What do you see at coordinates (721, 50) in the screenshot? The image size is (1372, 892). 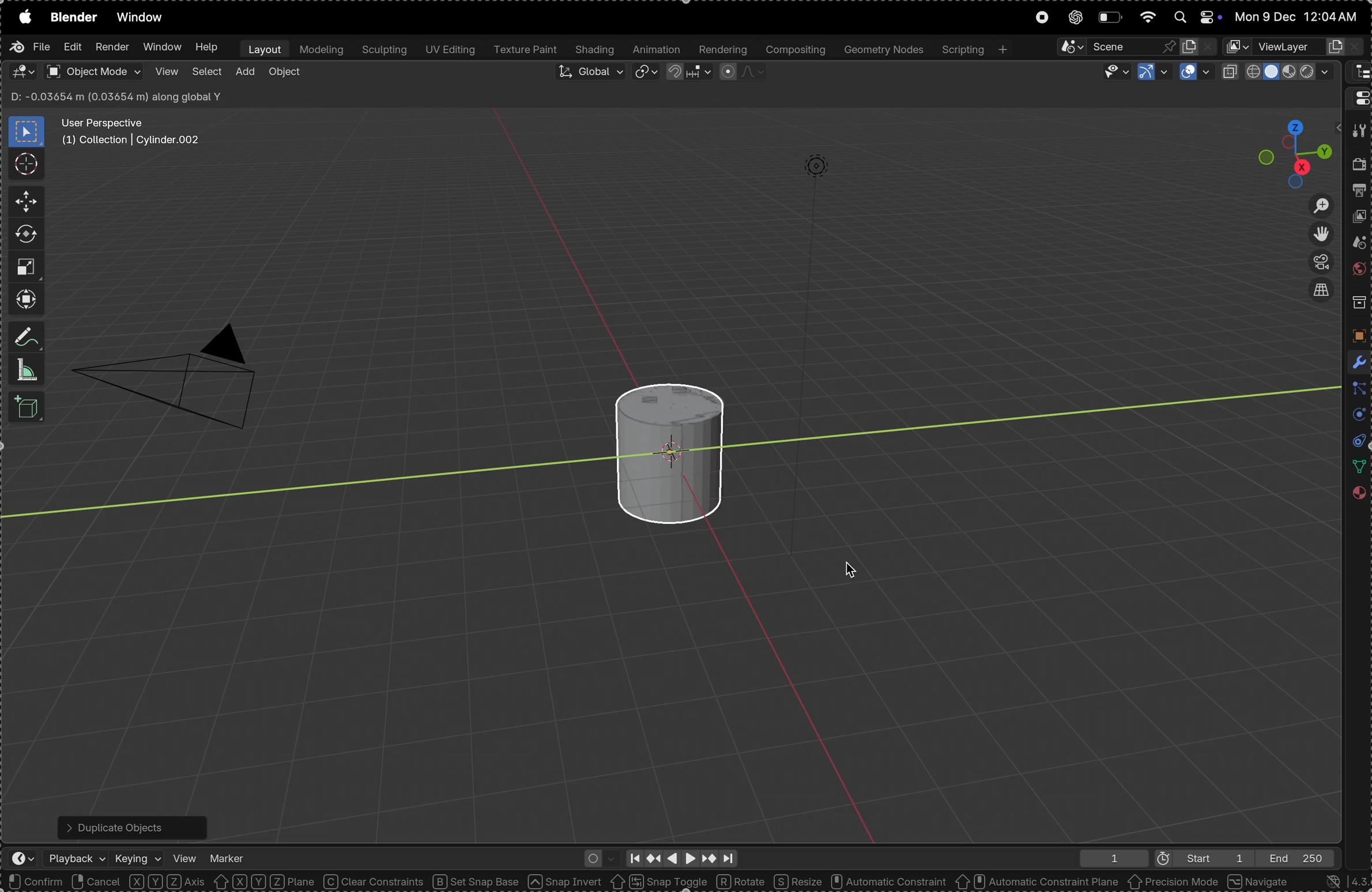 I see `rendering` at bounding box center [721, 50].